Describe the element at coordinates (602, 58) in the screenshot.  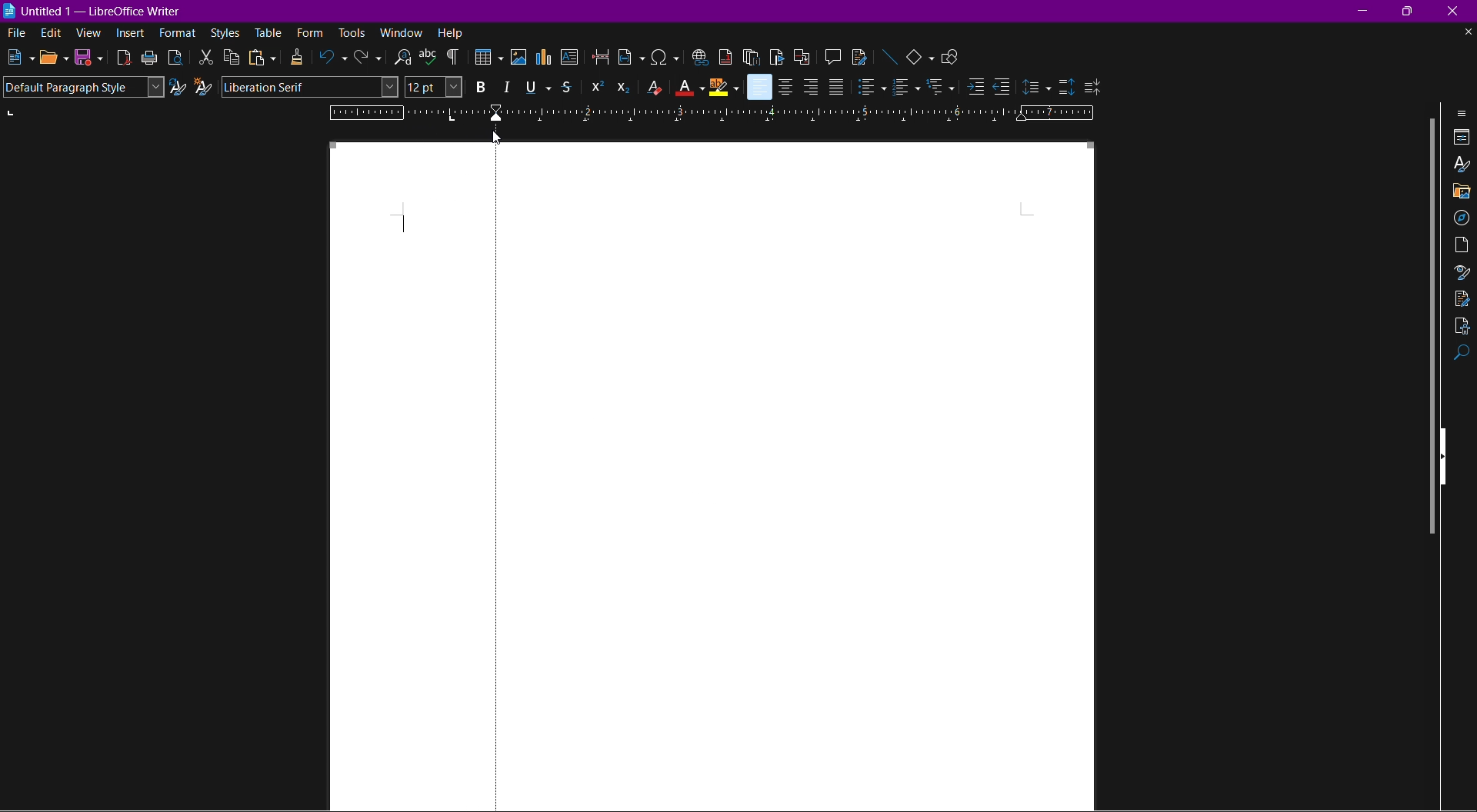
I see `Insert page break` at that location.